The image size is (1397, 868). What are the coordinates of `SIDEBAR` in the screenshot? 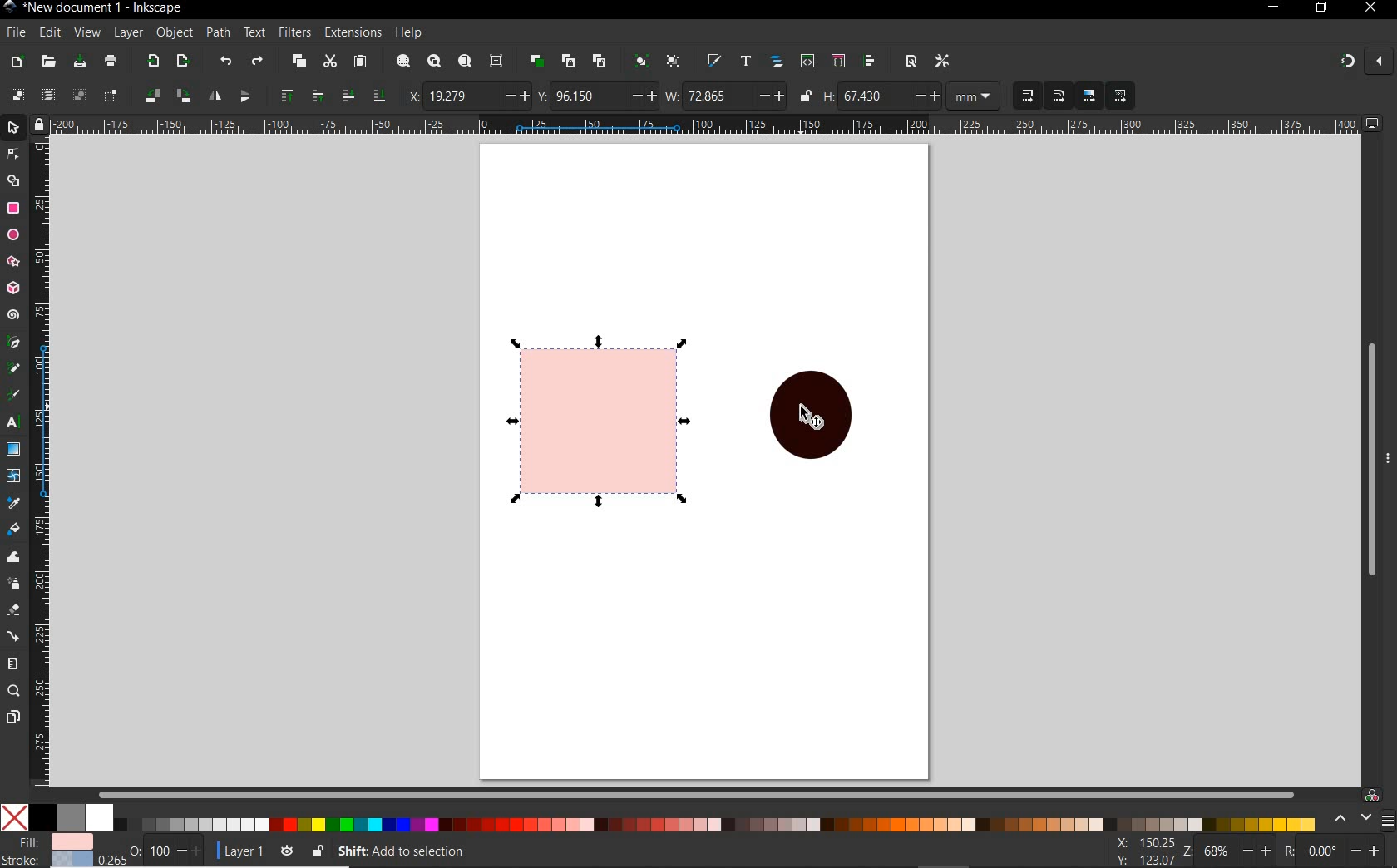 It's located at (1389, 821).